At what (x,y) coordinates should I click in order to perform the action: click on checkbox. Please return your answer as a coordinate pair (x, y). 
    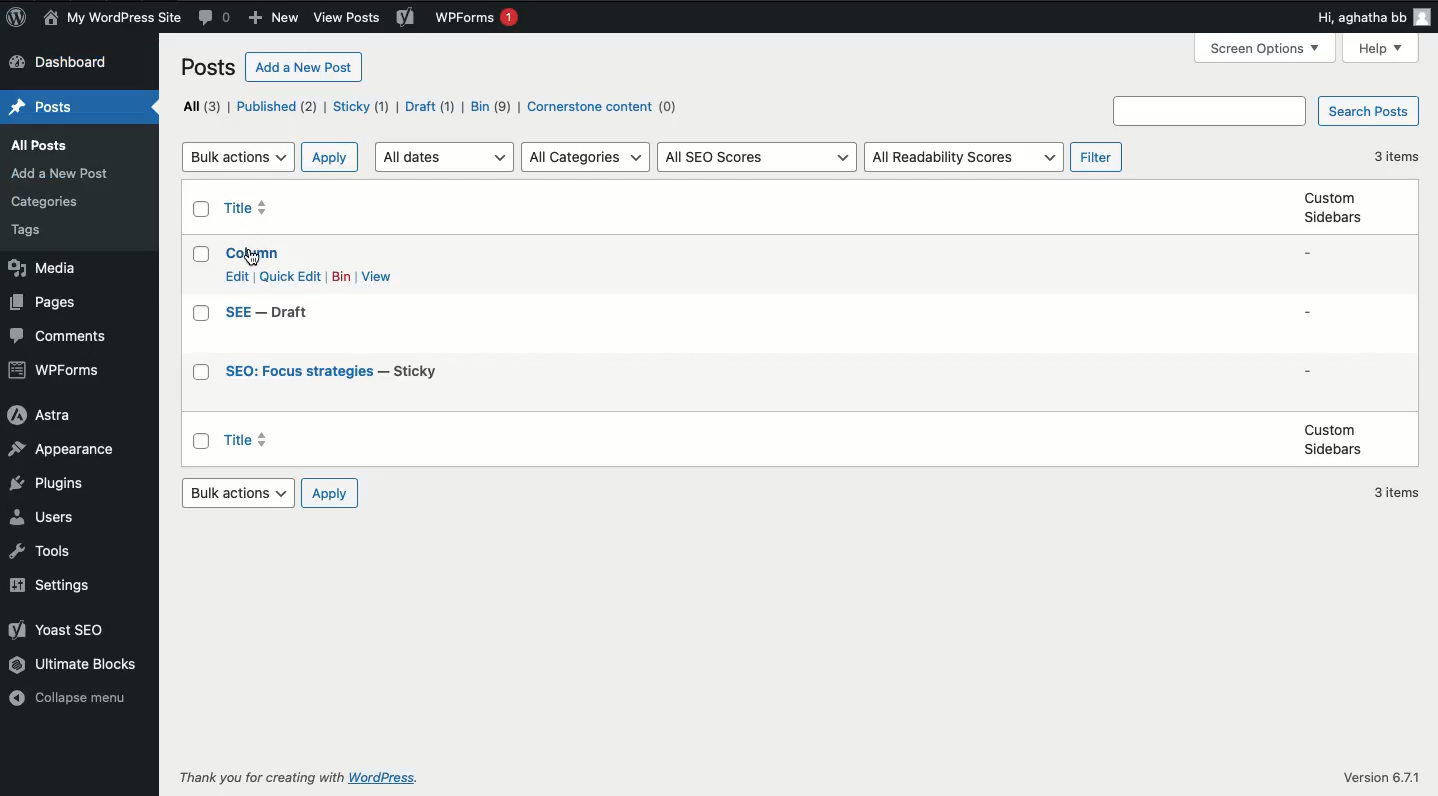
    Looking at the image, I should click on (199, 441).